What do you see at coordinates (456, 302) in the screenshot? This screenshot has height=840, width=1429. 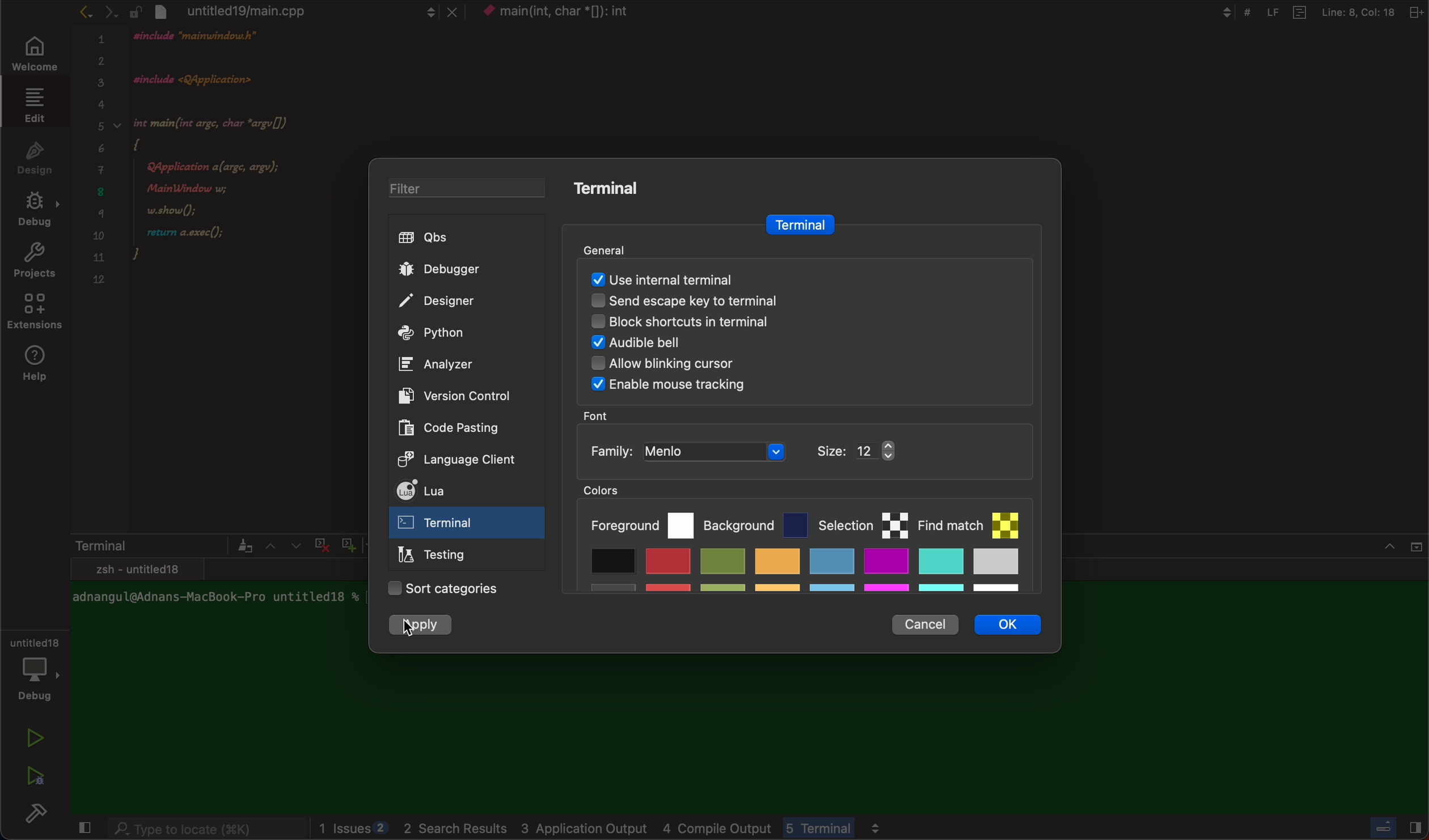 I see `designer` at bounding box center [456, 302].